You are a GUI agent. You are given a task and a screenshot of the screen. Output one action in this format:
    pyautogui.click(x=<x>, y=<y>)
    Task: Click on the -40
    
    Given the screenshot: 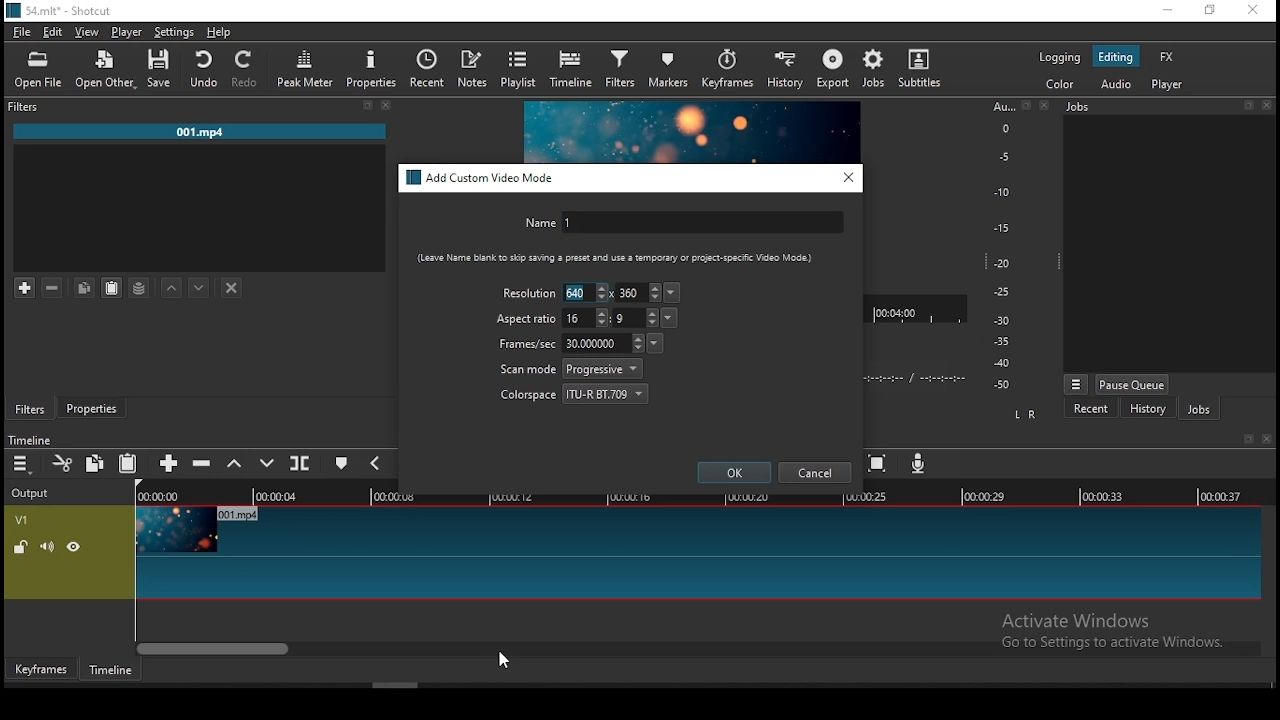 What is the action you would take?
    pyautogui.click(x=1002, y=363)
    